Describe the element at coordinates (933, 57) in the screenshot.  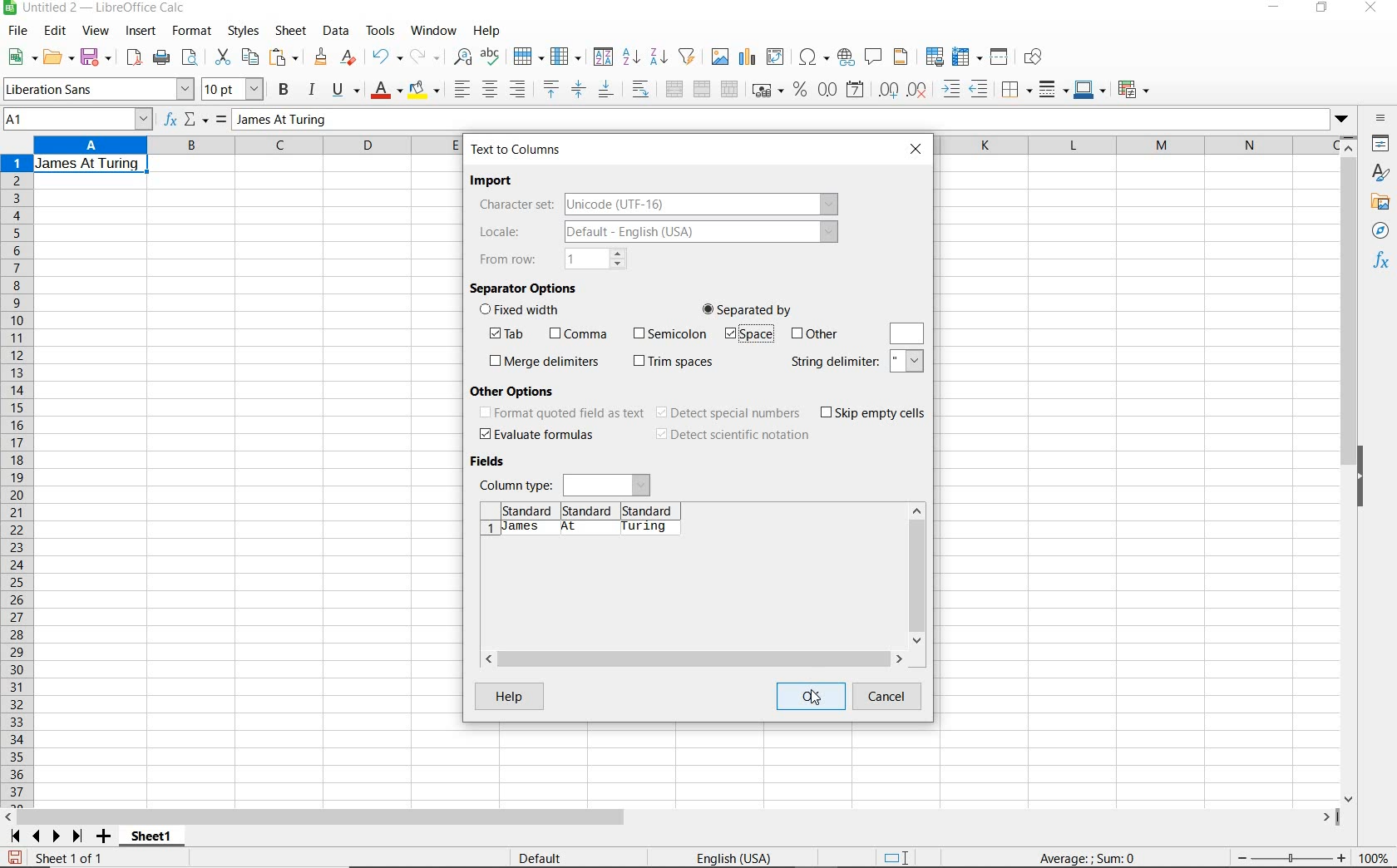
I see `define print area` at that location.